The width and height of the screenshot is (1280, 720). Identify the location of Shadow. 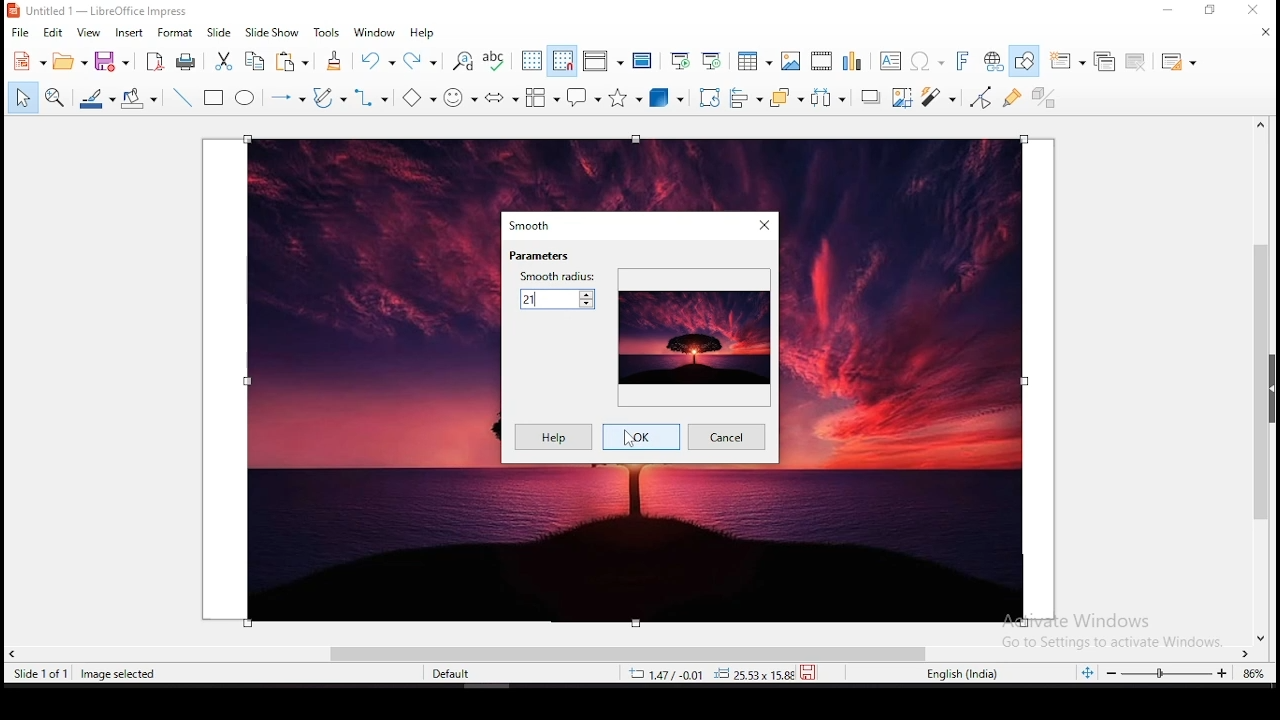
(870, 98).